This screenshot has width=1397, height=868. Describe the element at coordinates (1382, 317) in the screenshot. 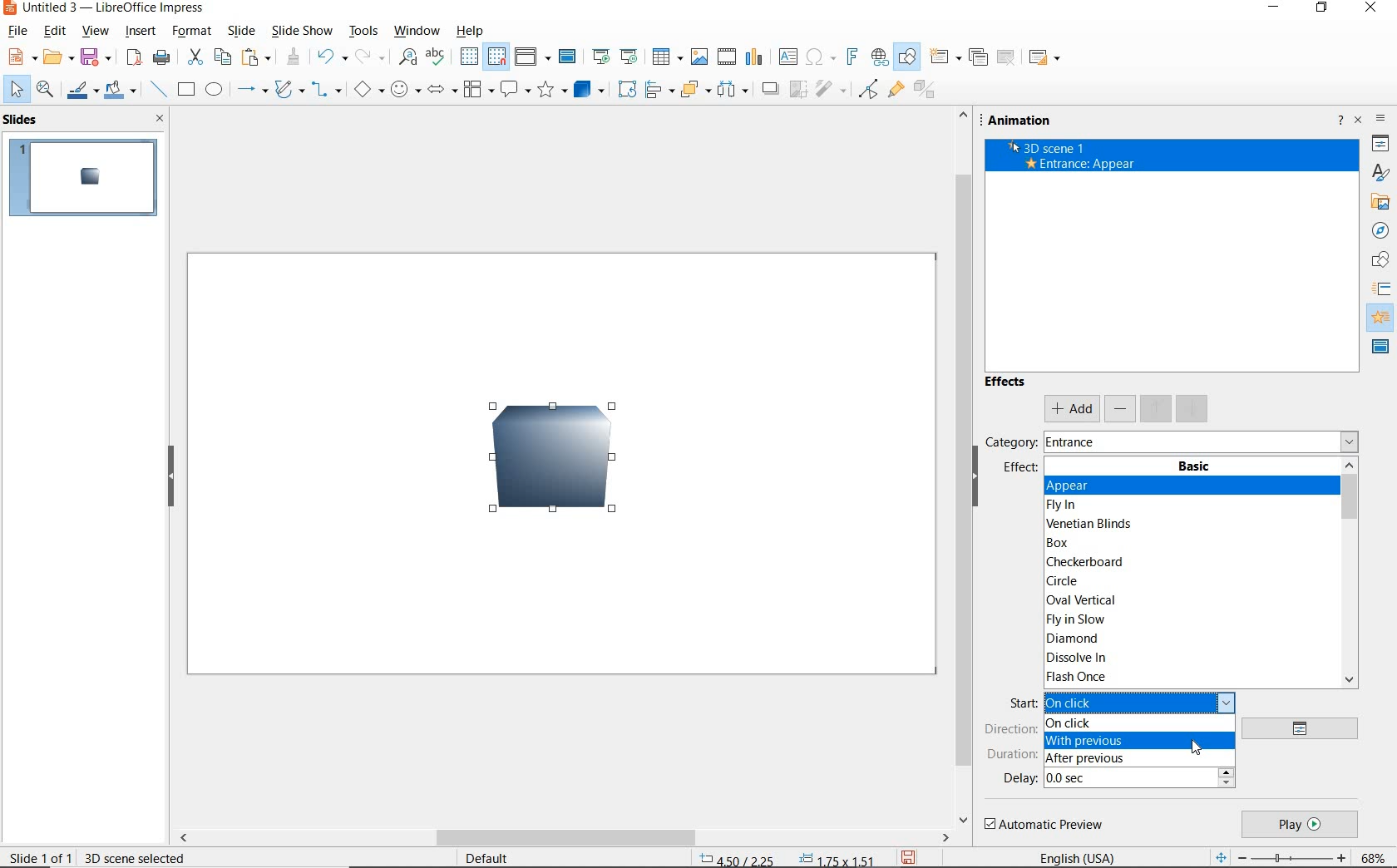

I see `ANNIMATION` at that location.